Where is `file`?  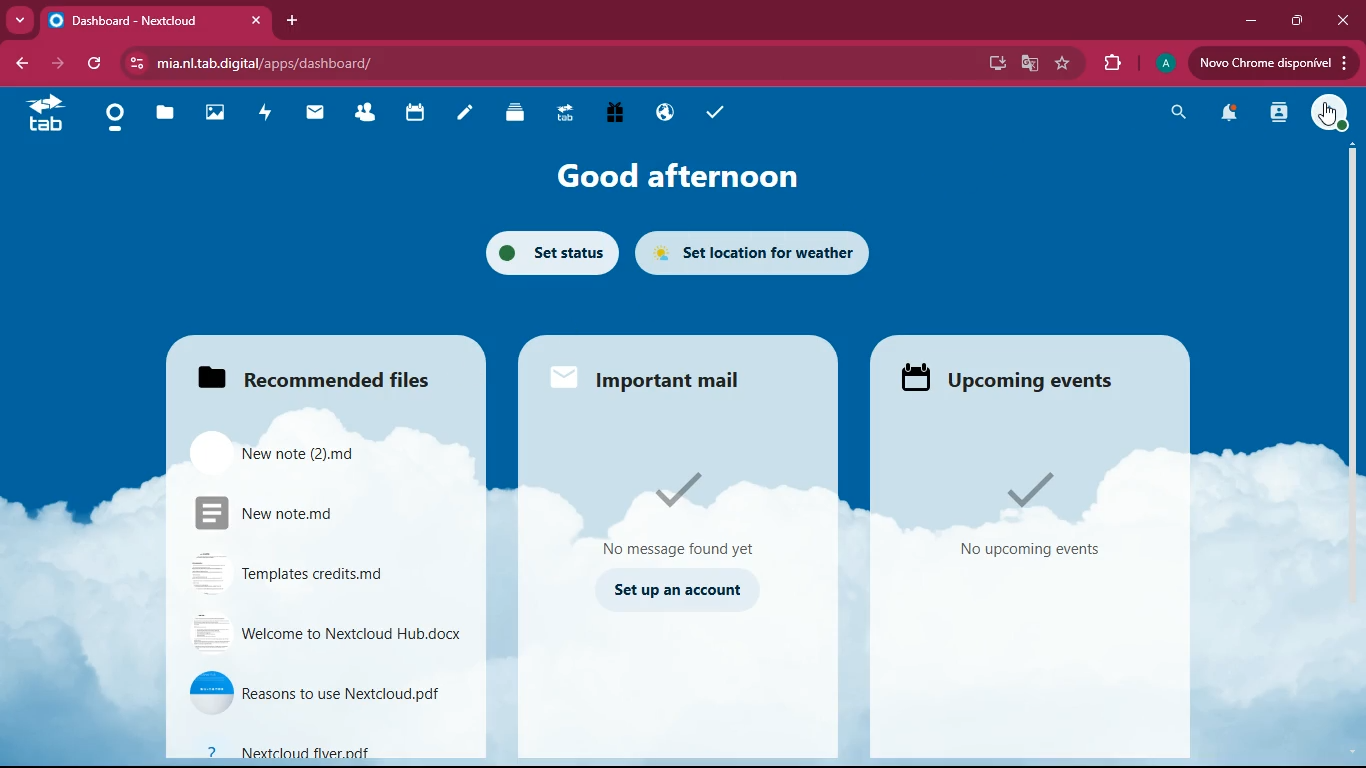 file is located at coordinates (319, 749).